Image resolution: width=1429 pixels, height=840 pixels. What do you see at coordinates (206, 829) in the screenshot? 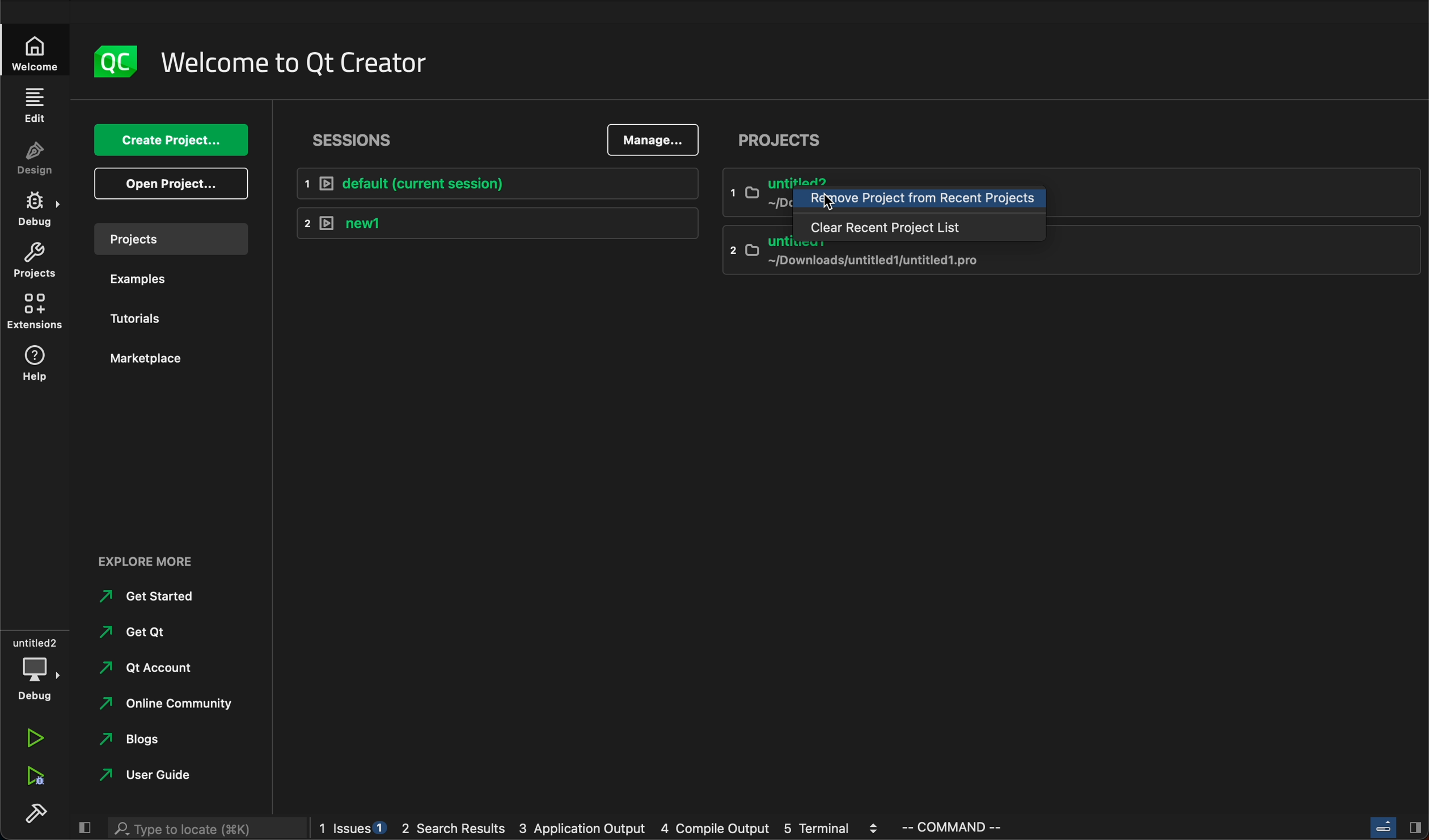
I see `search` at bounding box center [206, 829].